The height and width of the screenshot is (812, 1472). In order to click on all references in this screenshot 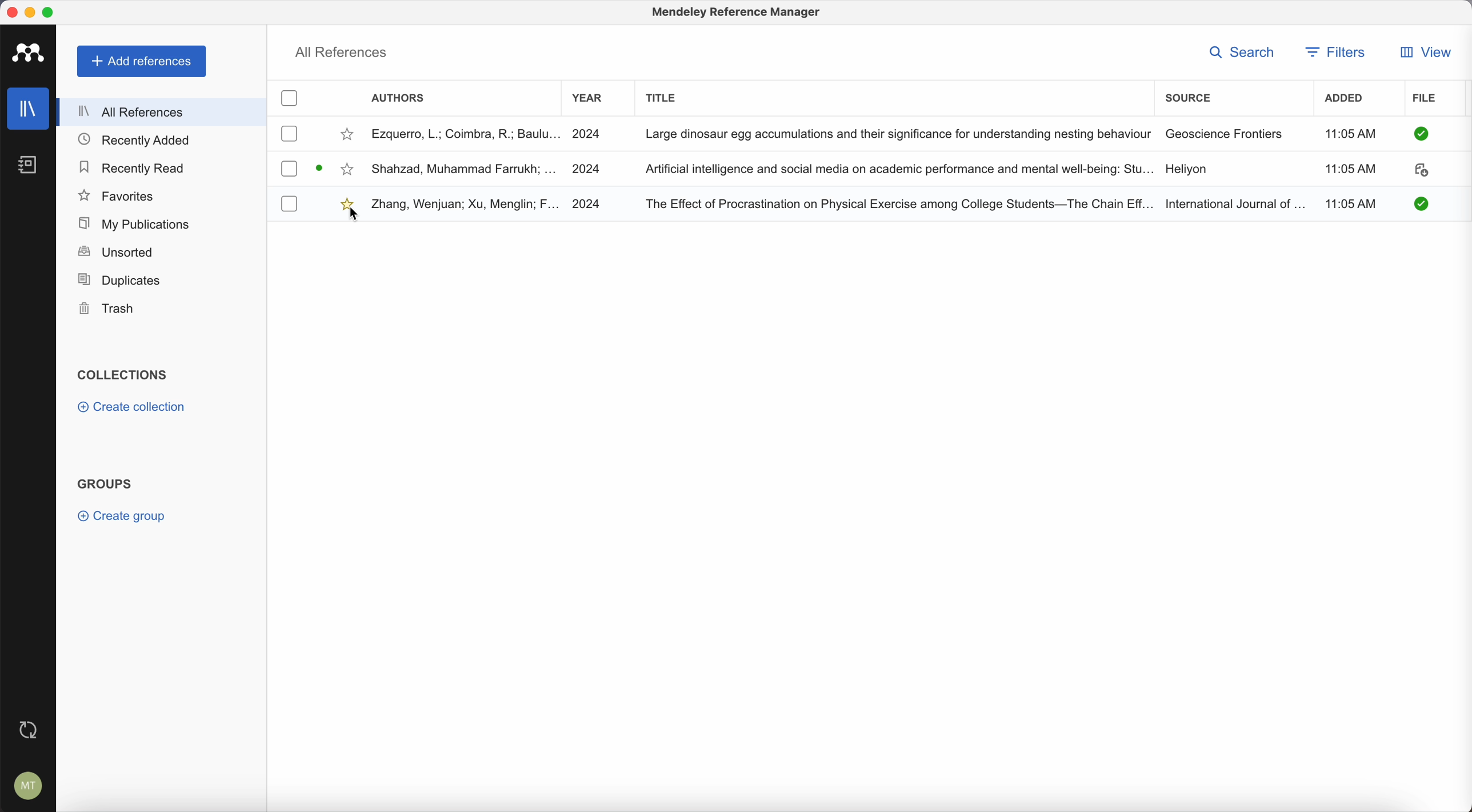, I will do `click(342, 51)`.